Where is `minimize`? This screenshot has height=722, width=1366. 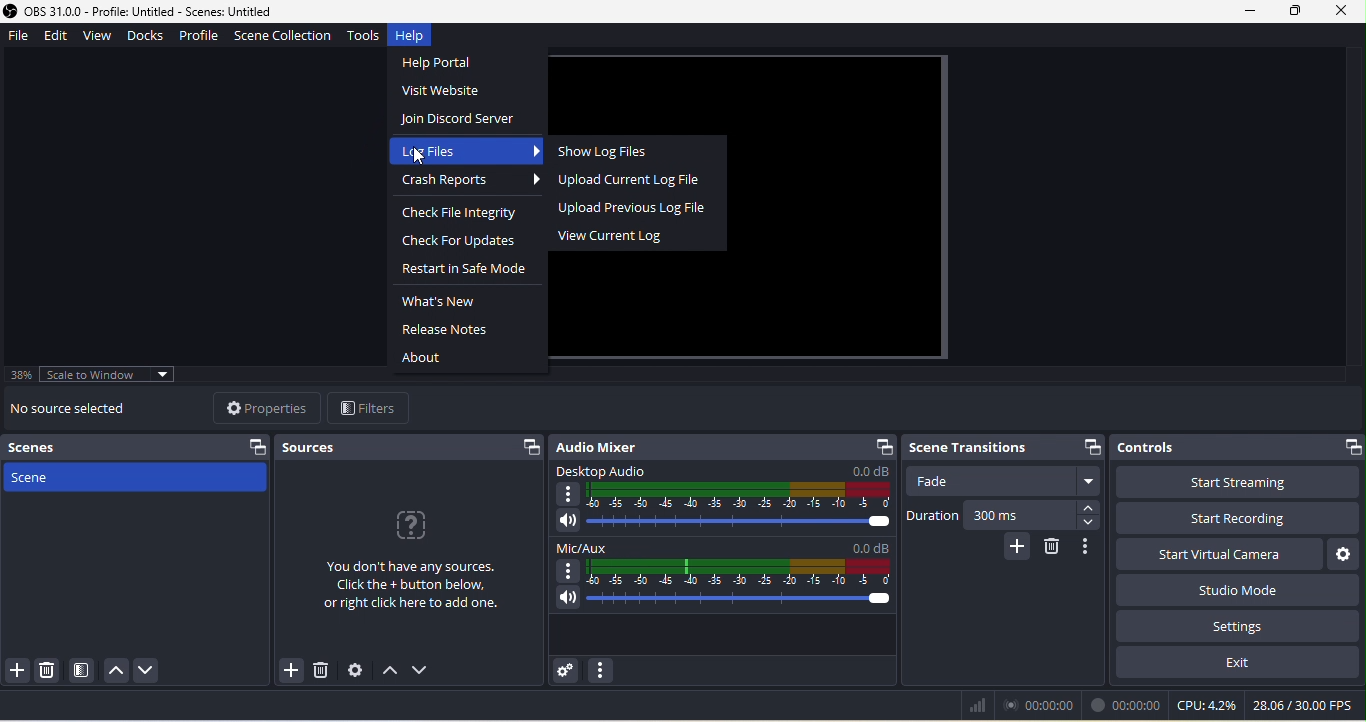 minimize is located at coordinates (1249, 11).